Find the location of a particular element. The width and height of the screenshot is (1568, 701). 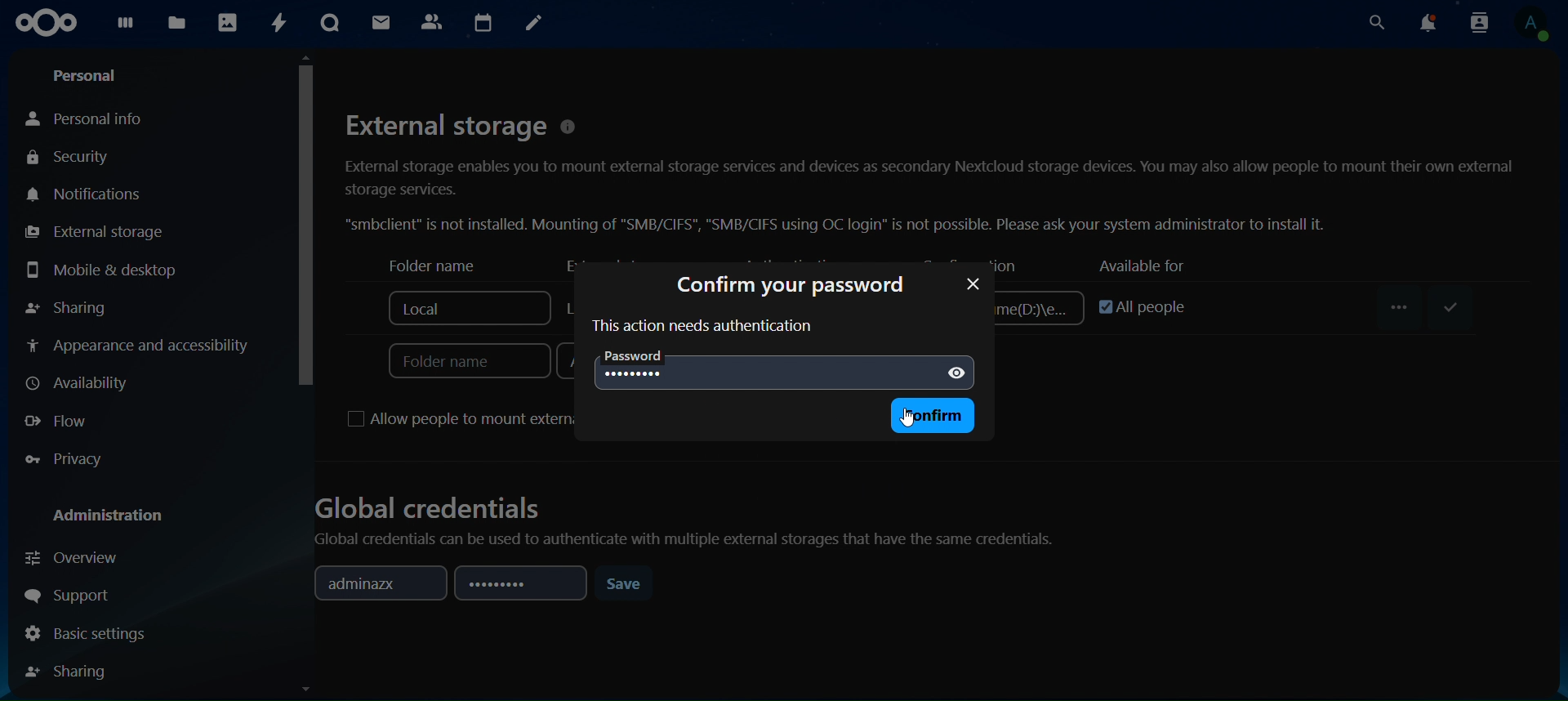

basic settings is located at coordinates (88, 633).